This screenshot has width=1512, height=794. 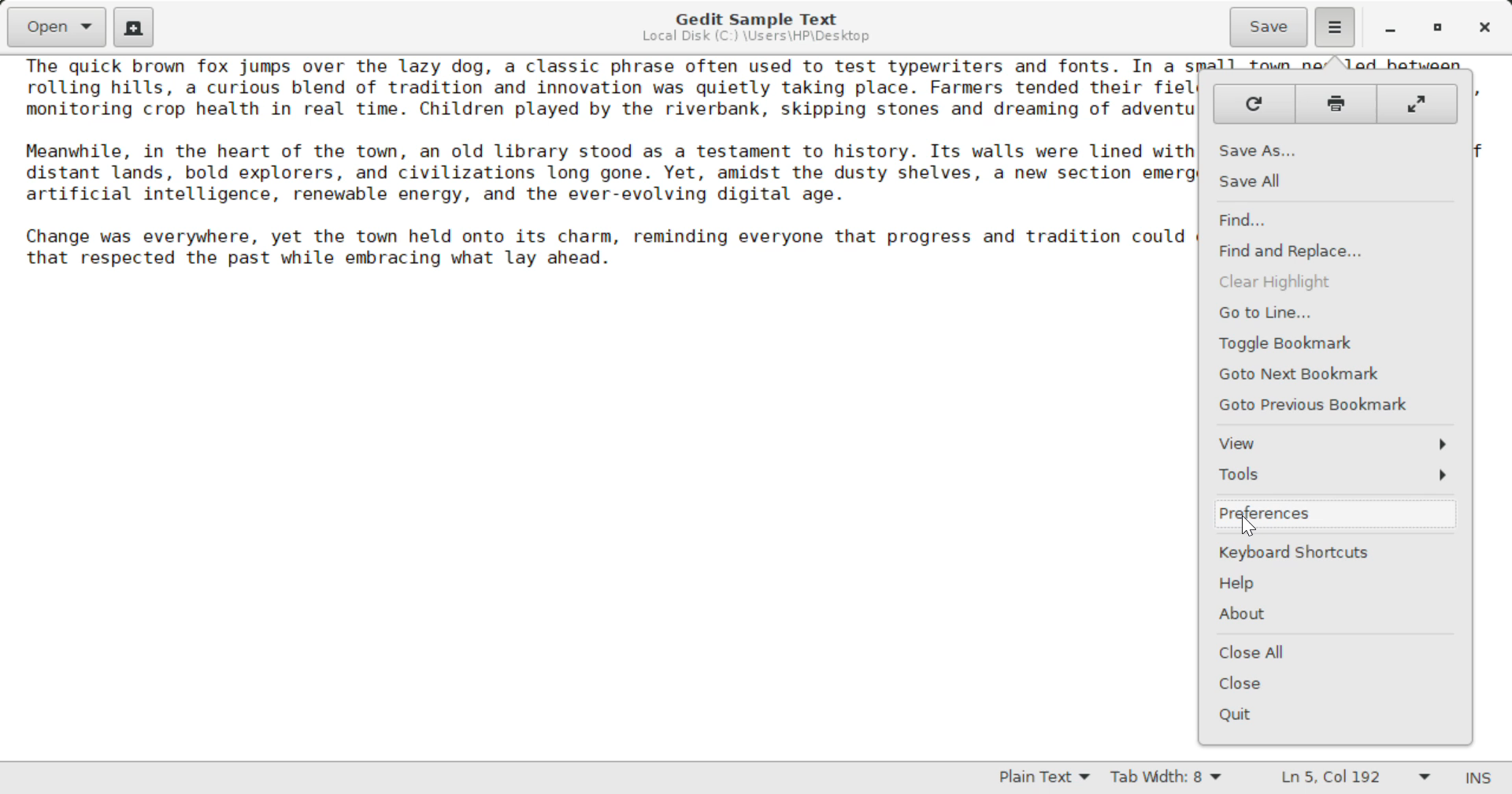 What do you see at coordinates (1299, 280) in the screenshot?
I see `Clear Highlight` at bounding box center [1299, 280].